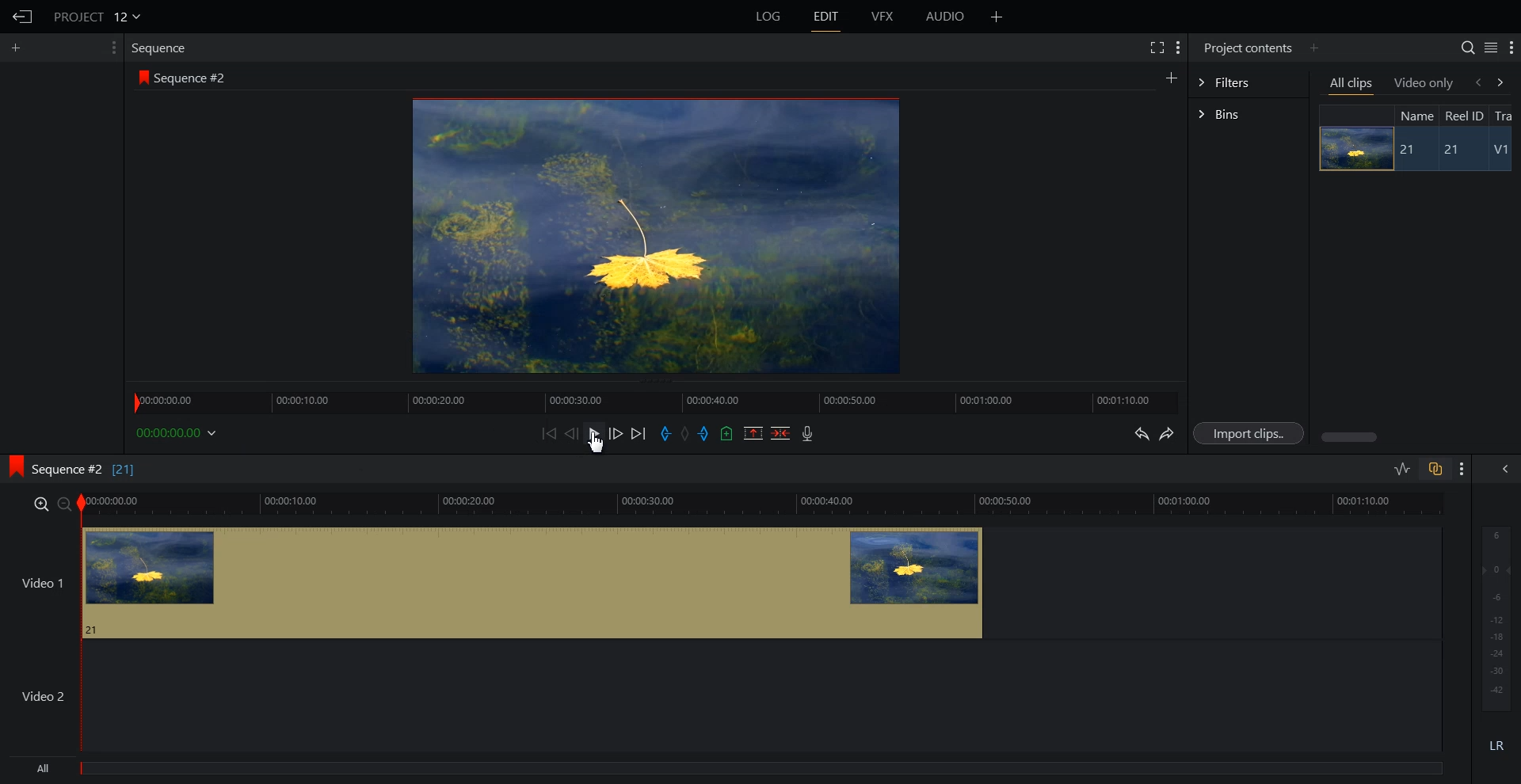  I want to click on Full screen, so click(1156, 46).